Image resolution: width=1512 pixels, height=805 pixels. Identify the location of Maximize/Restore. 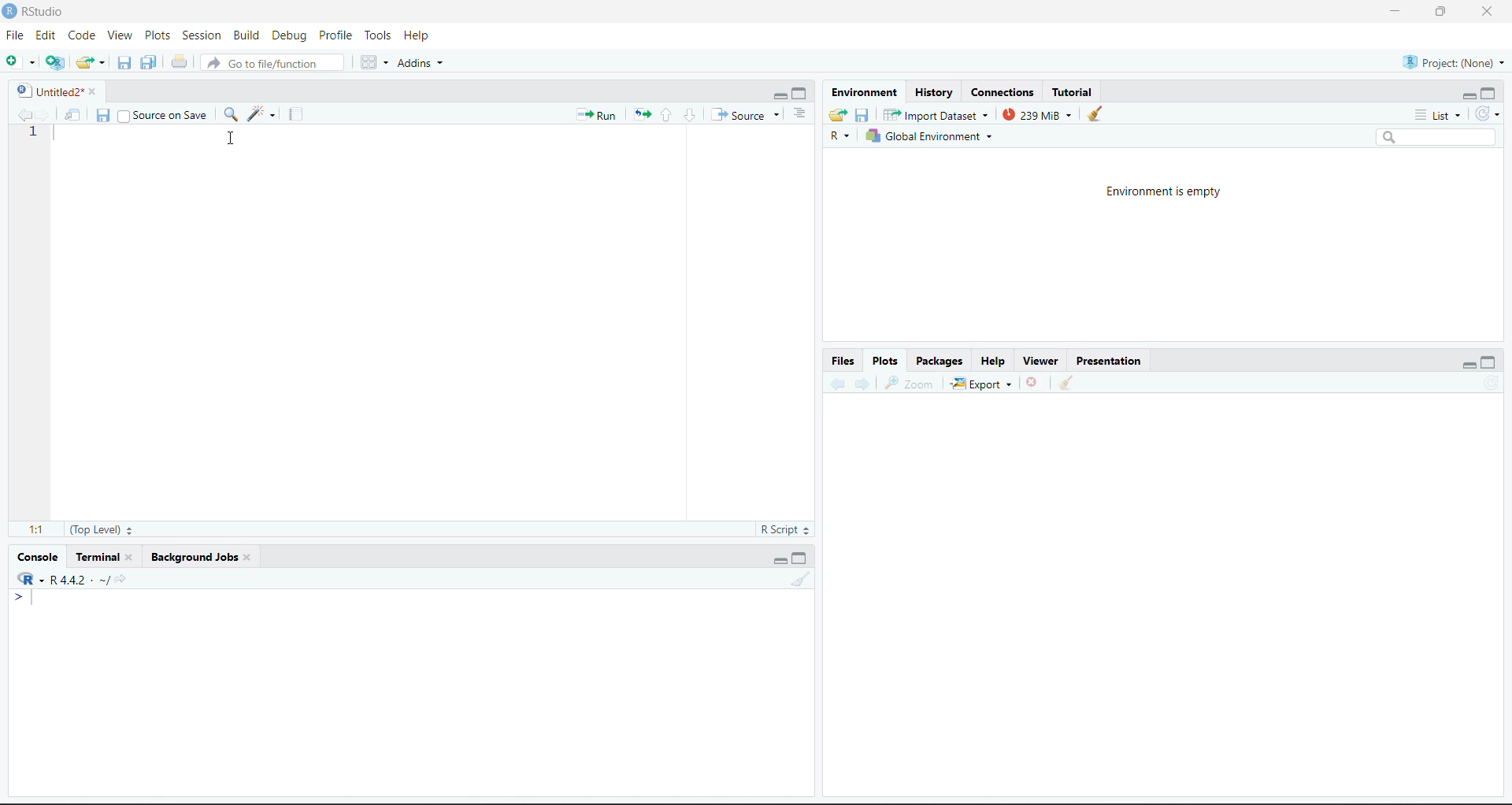
(1440, 12).